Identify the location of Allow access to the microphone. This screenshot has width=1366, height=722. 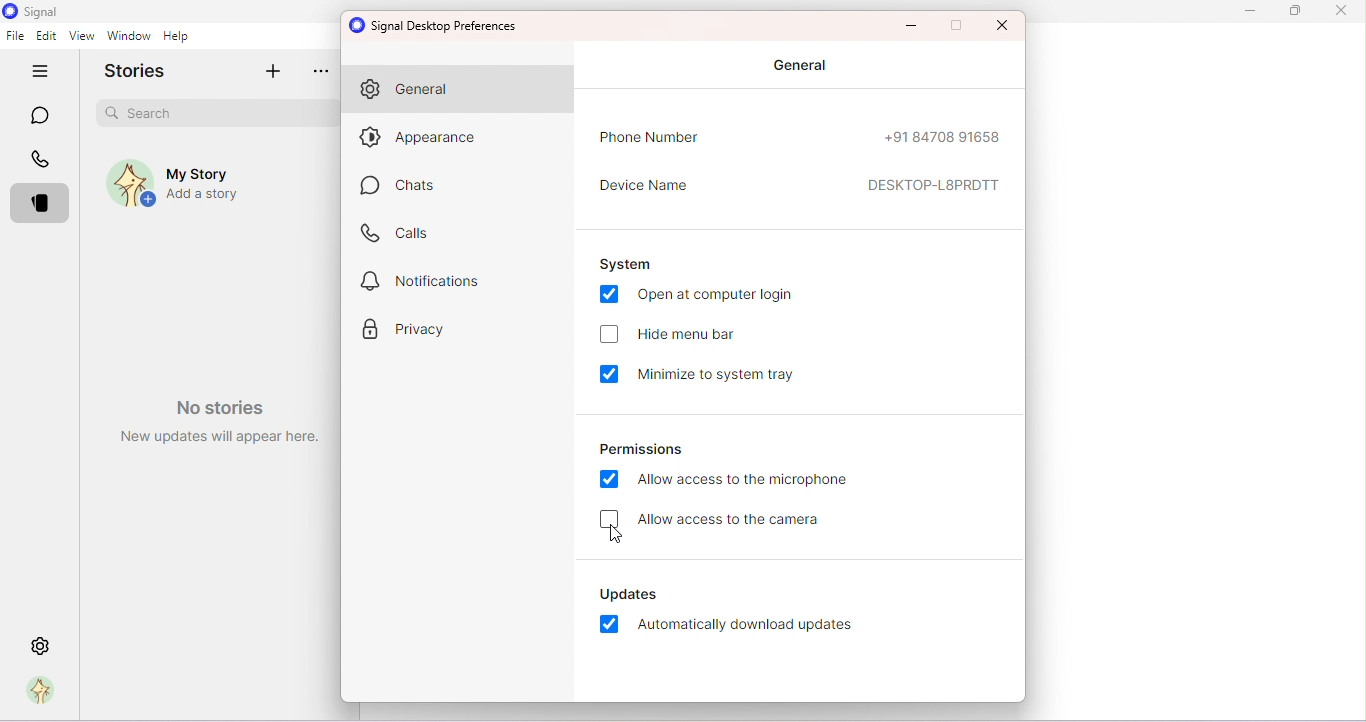
(729, 481).